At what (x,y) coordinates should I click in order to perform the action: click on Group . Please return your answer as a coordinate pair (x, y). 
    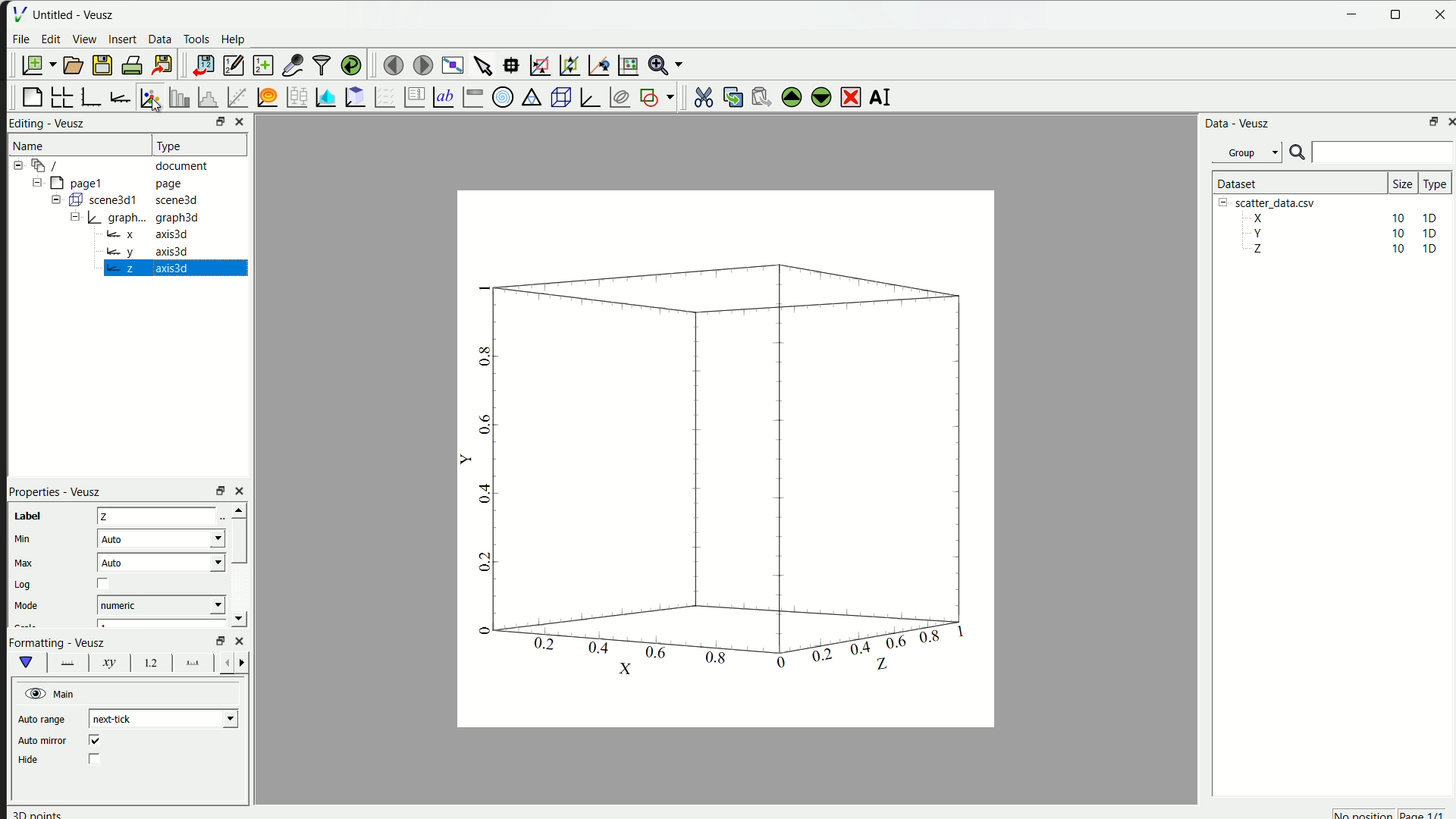
    Looking at the image, I should click on (1247, 154).